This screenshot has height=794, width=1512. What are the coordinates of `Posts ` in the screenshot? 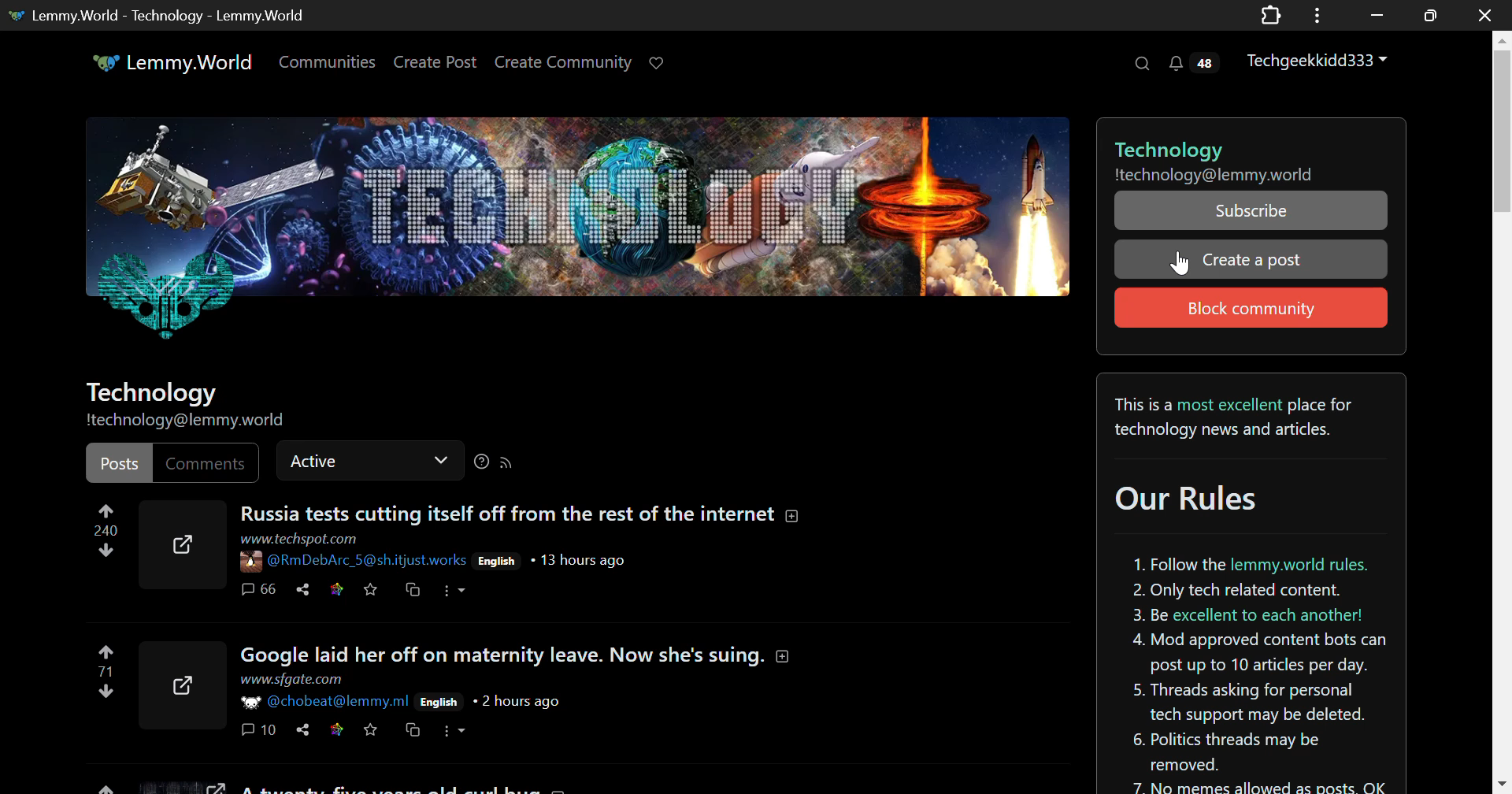 It's located at (117, 461).